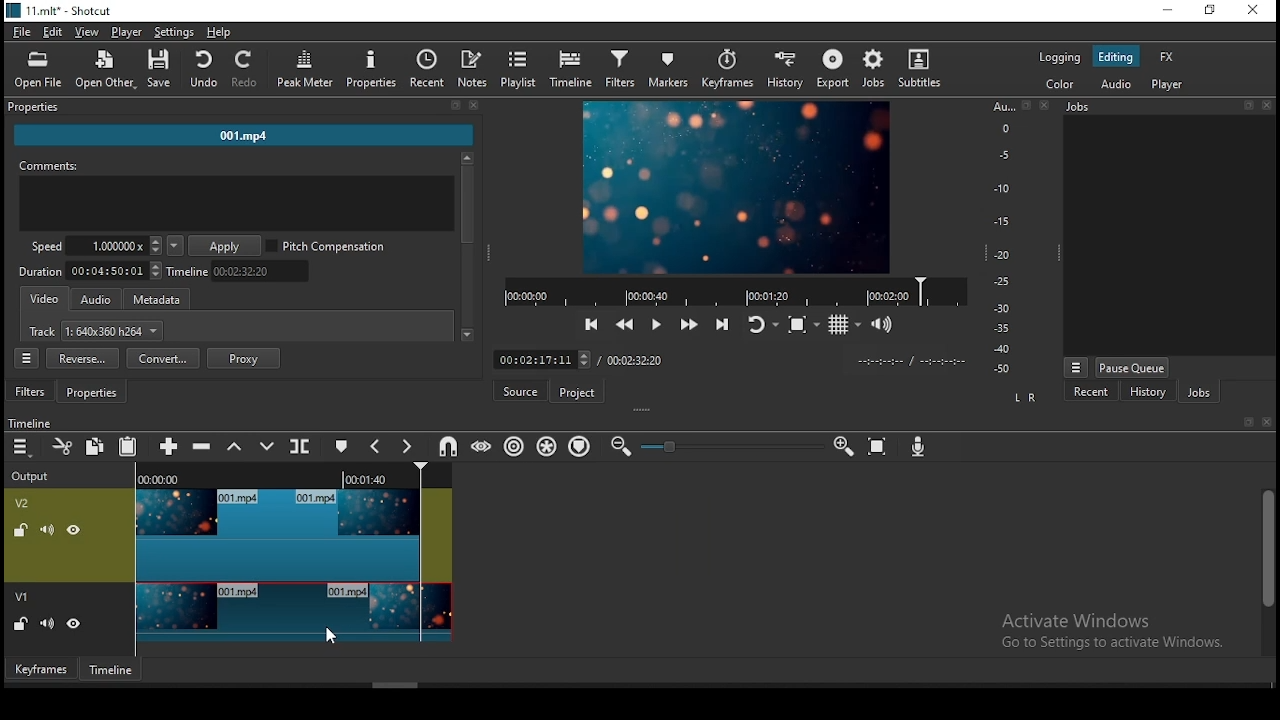 The height and width of the screenshot is (720, 1280). What do you see at coordinates (59, 10) in the screenshot?
I see `11.mlt* . Shotcut` at bounding box center [59, 10].